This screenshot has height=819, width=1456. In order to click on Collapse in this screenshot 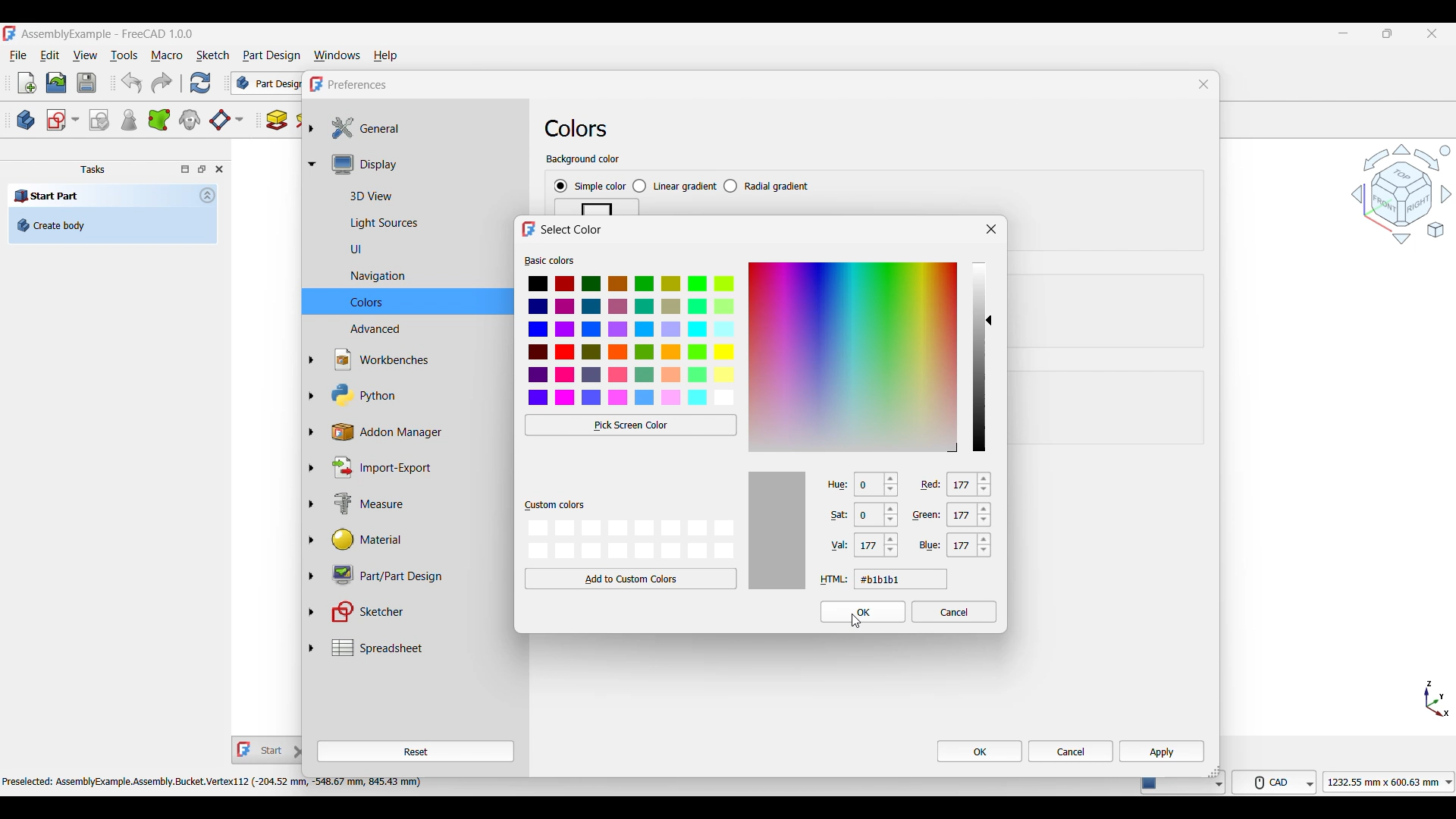, I will do `click(208, 195)`.